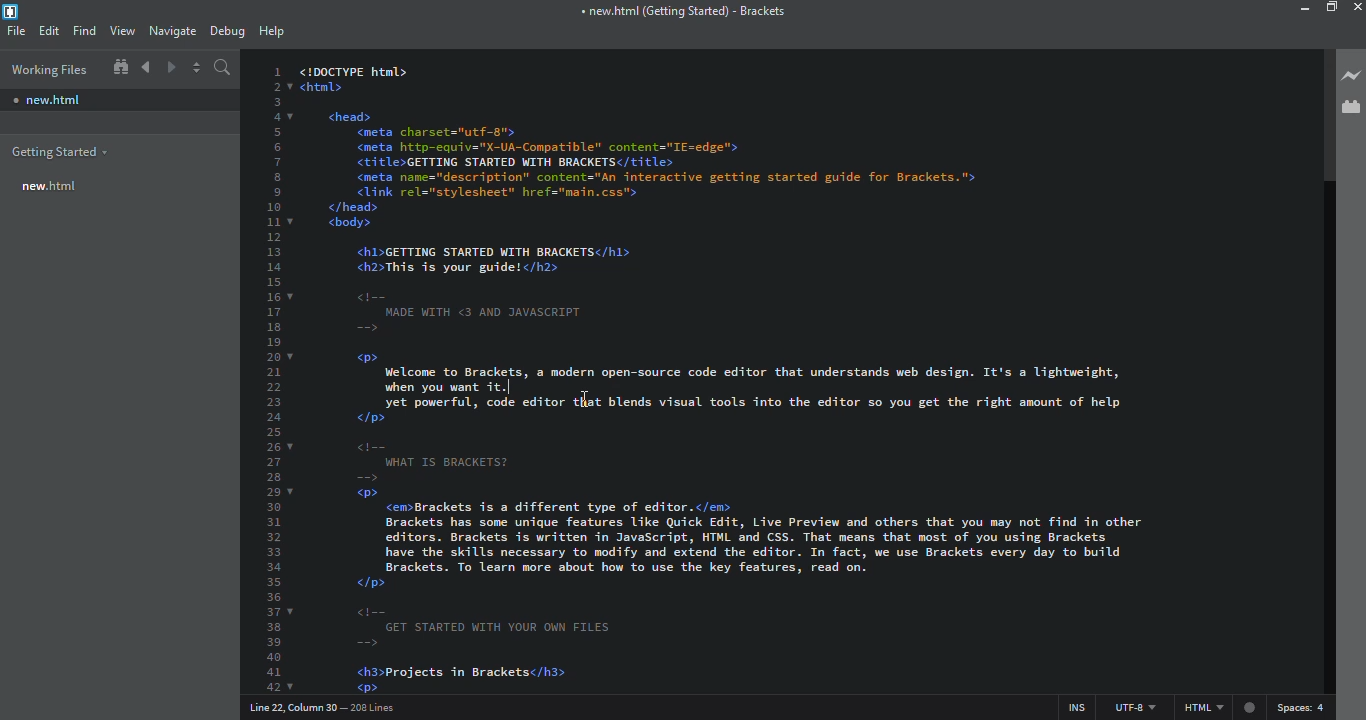 This screenshot has height=720, width=1366. Describe the element at coordinates (51, 31) in the screenshot. I see `edit` at that location.